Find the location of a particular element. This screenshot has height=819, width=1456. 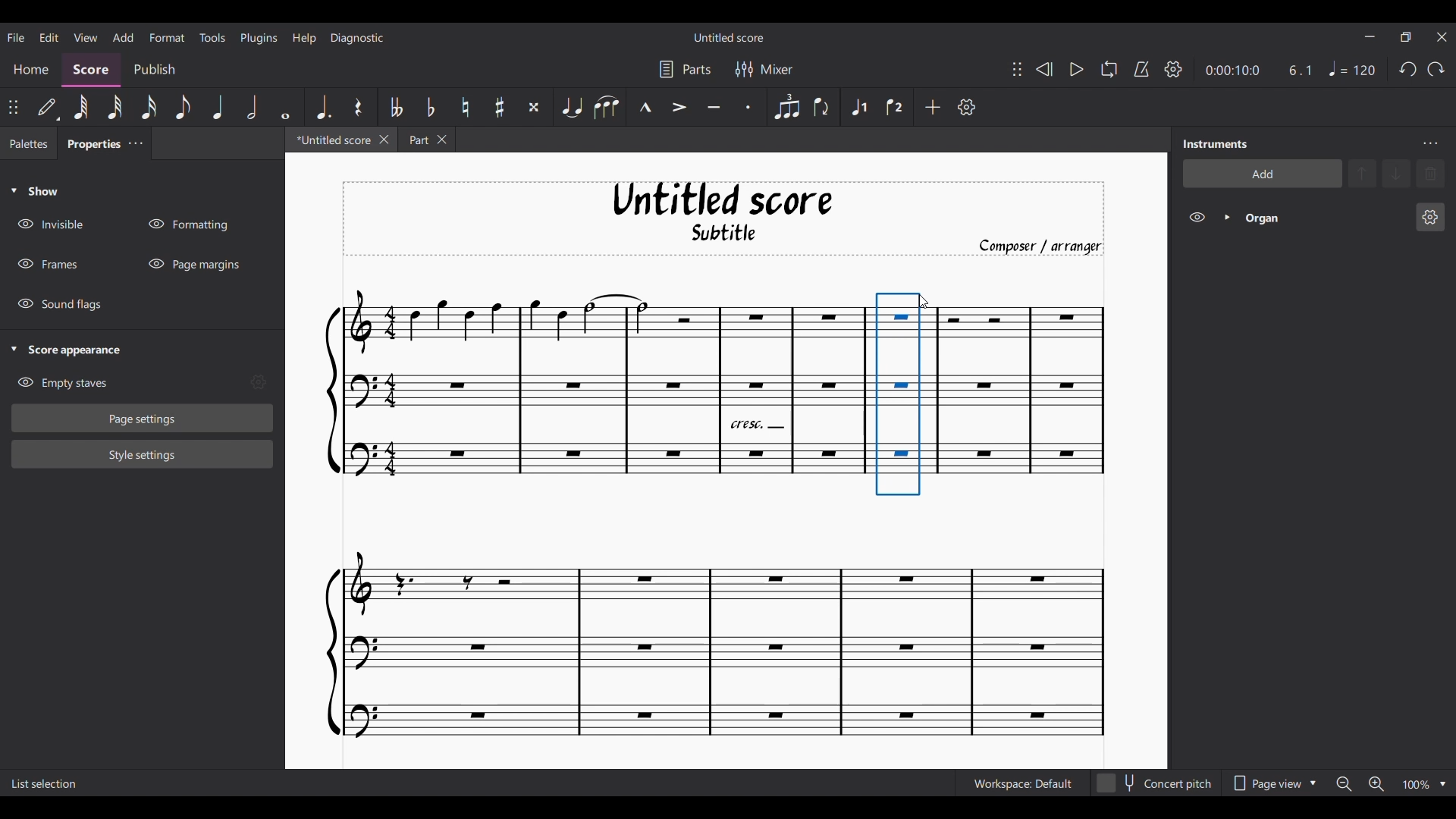

File menu is located at coordinates (16, 36).